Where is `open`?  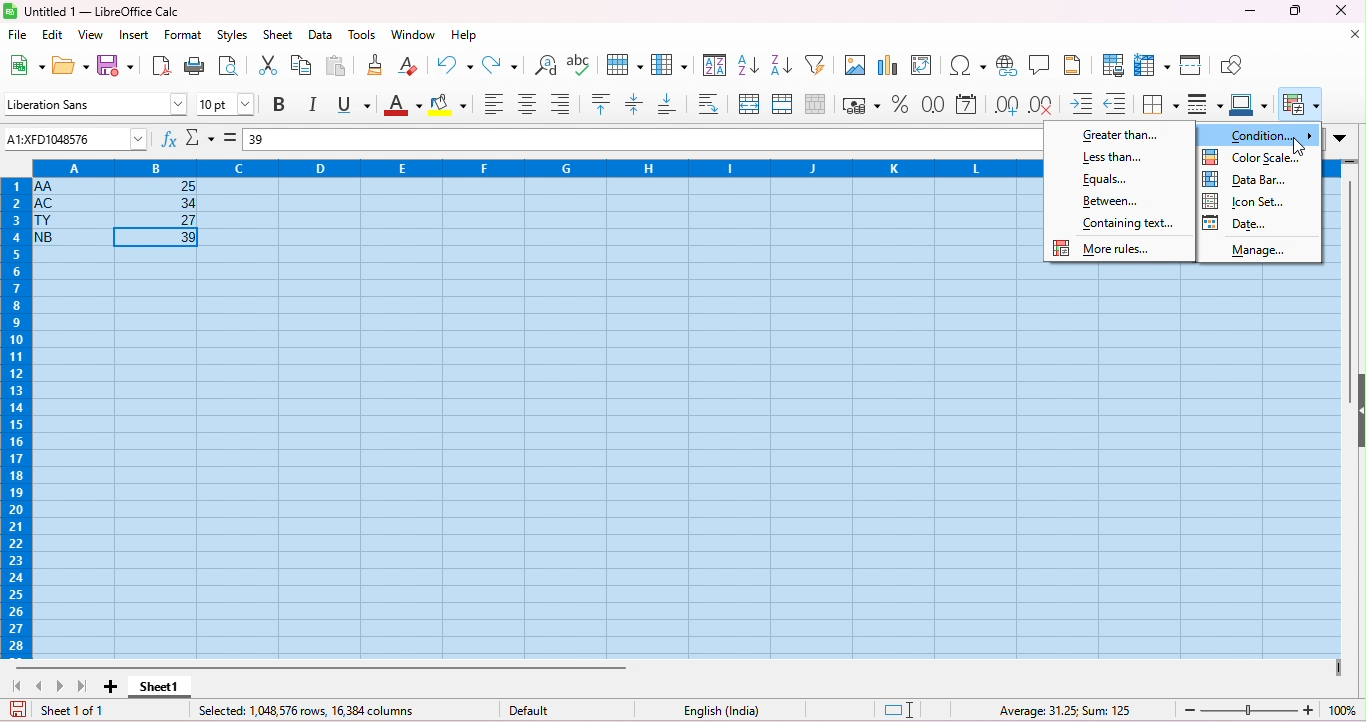 open is located at coordinates (71, 64).